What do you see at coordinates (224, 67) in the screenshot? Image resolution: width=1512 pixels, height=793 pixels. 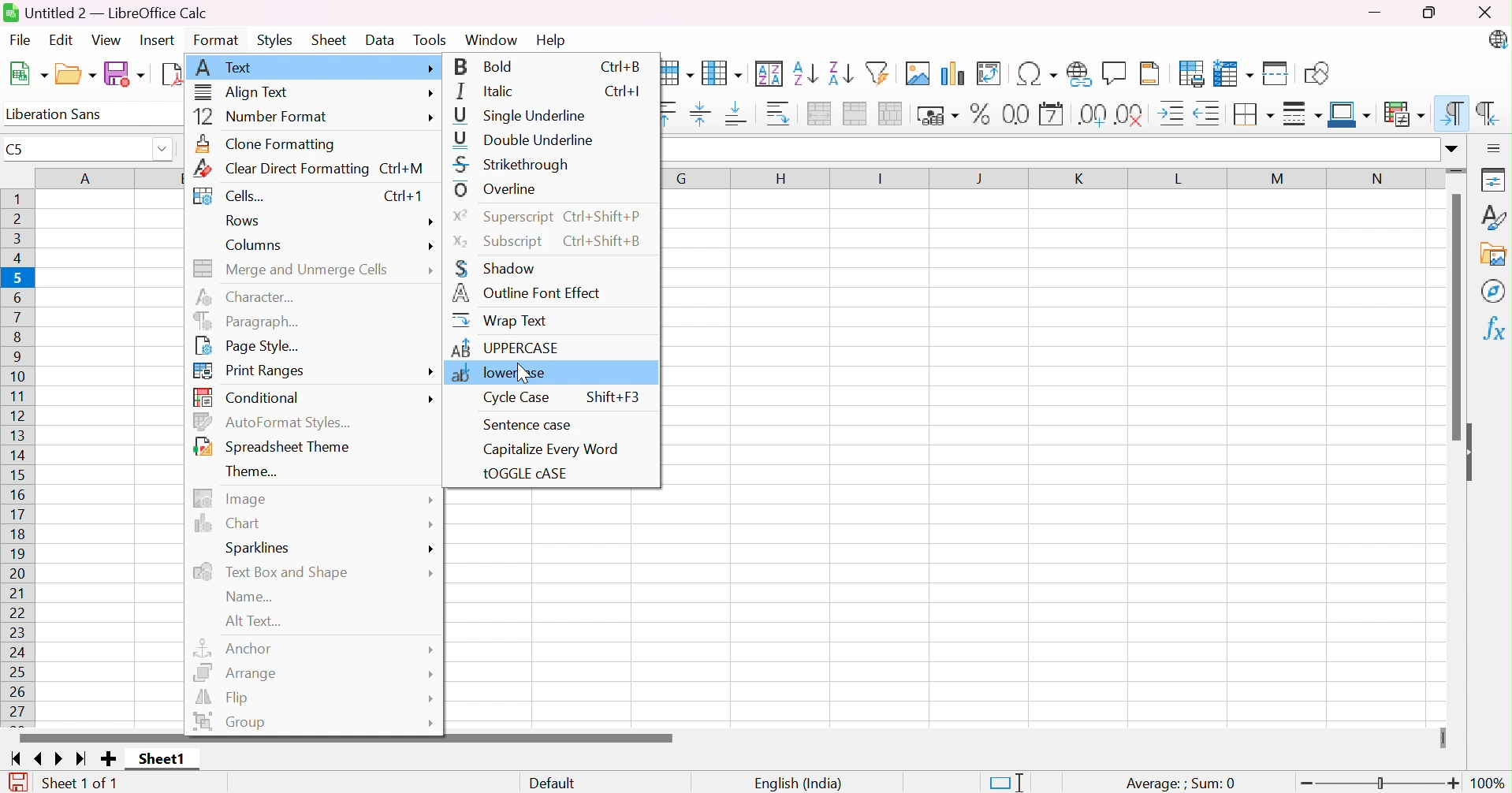 I see `Text` at bounding box center [224, 67].